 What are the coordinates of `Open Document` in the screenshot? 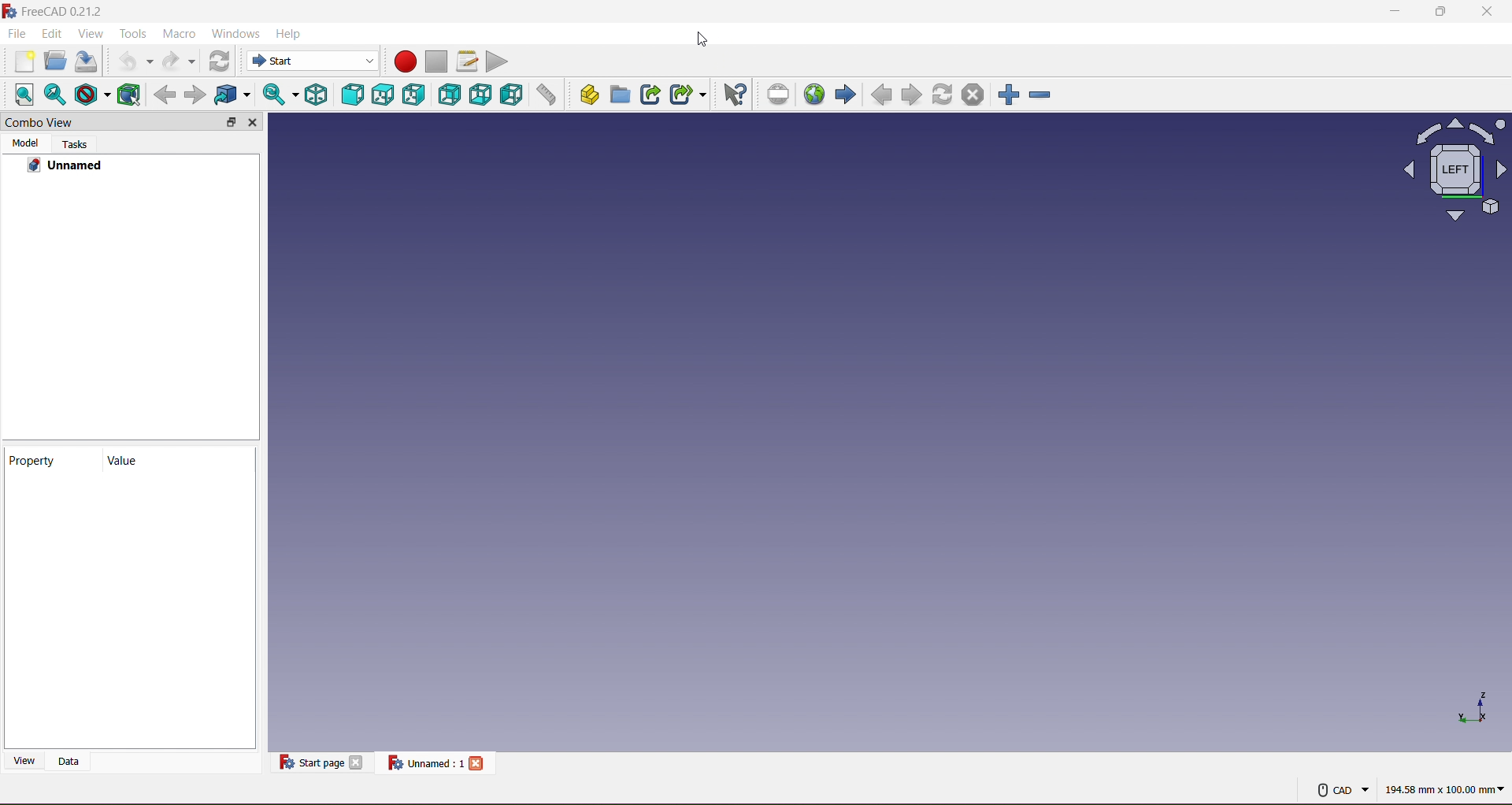 It's located at (55, 62).